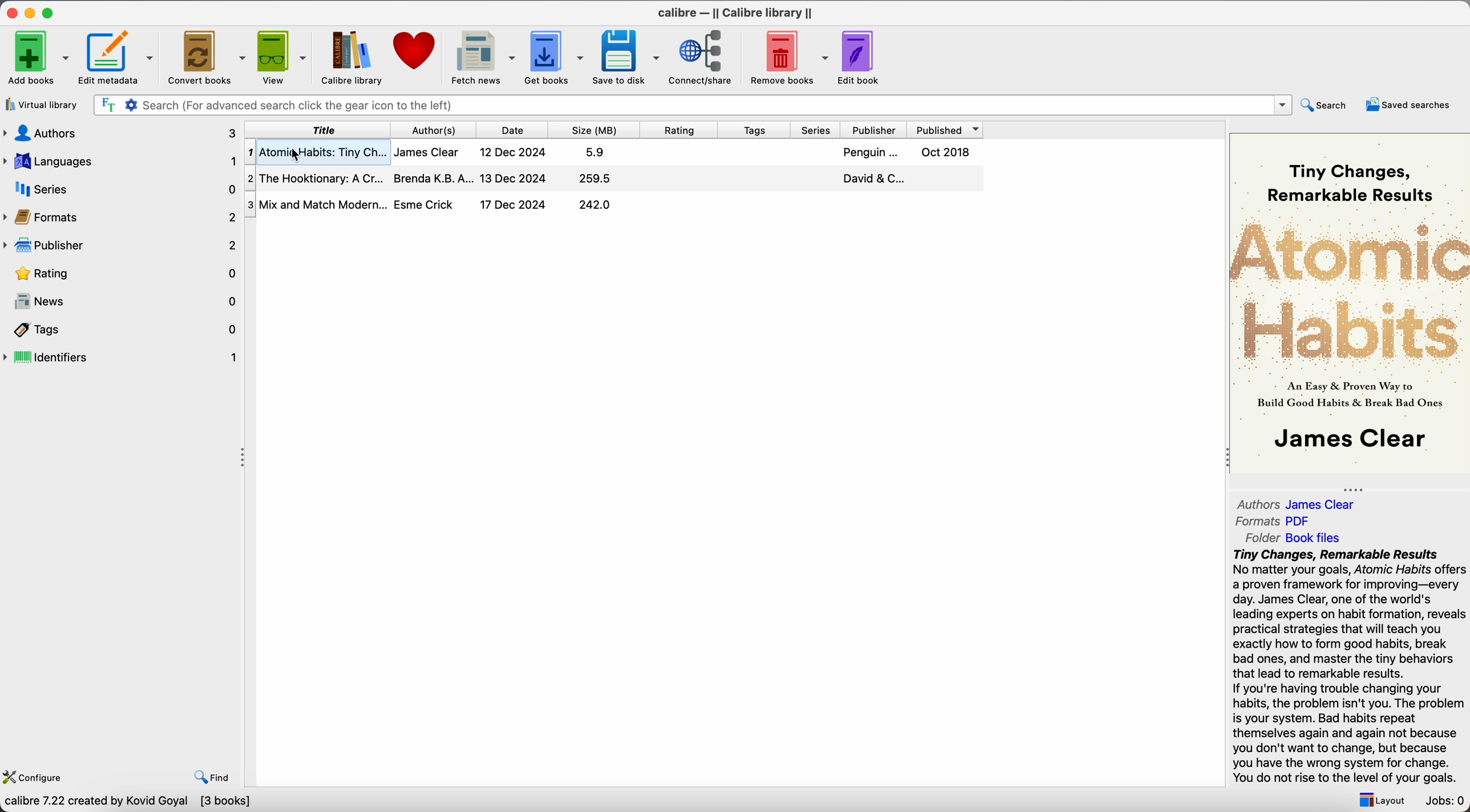  I want to click on Folder Book files, so click(1297, 538).